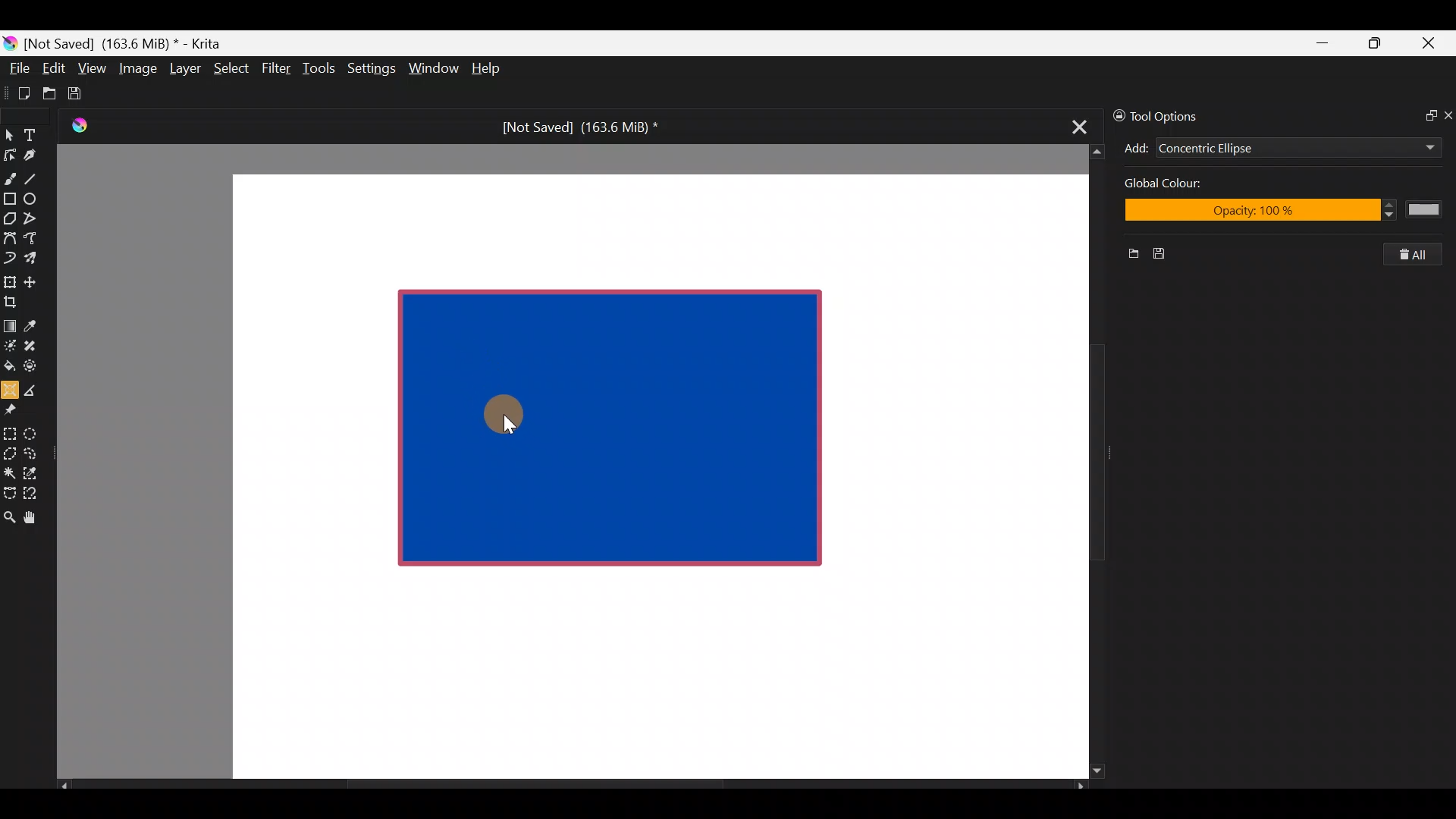  I want to click on Float docker, so click(1424, 114).